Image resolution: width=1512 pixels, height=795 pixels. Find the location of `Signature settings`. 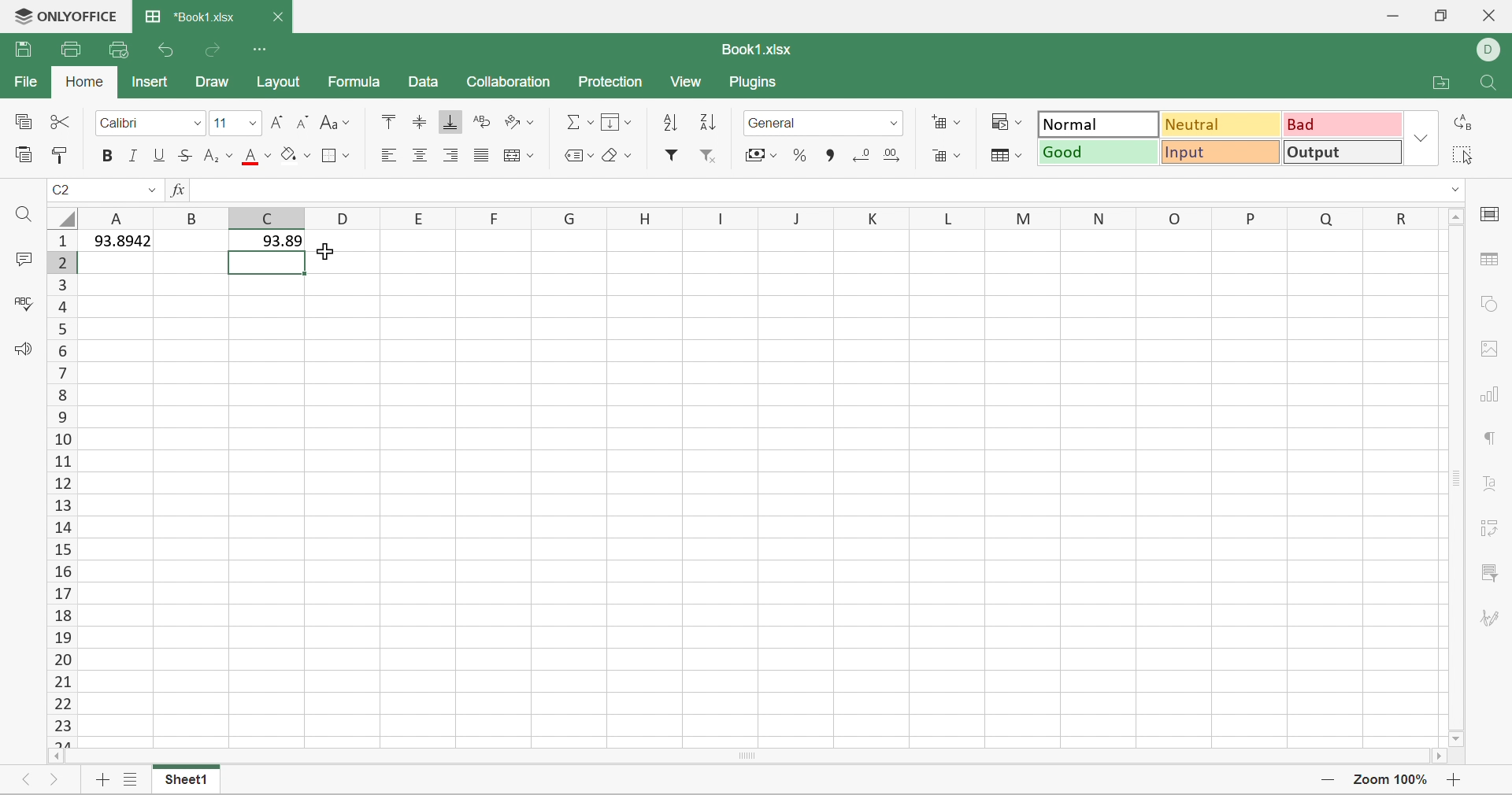

Signature settings is located at coordinates (1492, 620).